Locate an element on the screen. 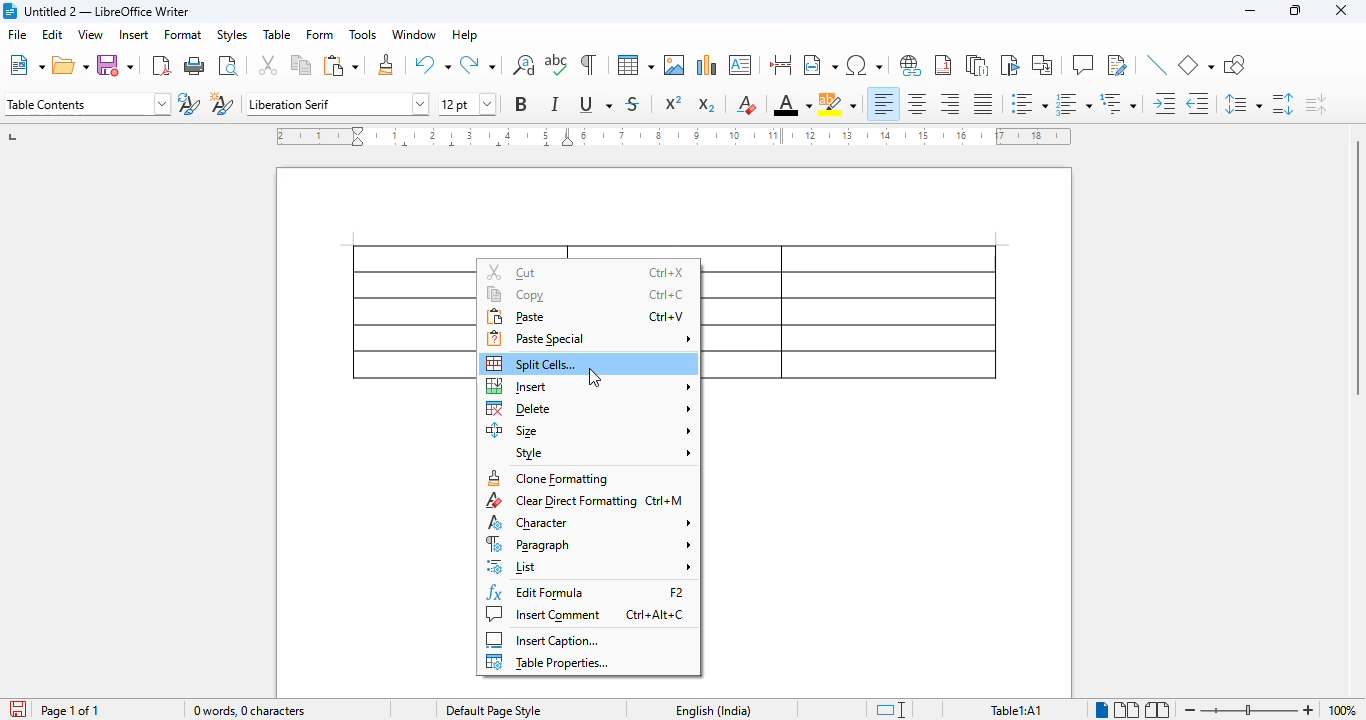 The image size is (1366, 720). export directly as PDF is located at coordinates (161, 66).